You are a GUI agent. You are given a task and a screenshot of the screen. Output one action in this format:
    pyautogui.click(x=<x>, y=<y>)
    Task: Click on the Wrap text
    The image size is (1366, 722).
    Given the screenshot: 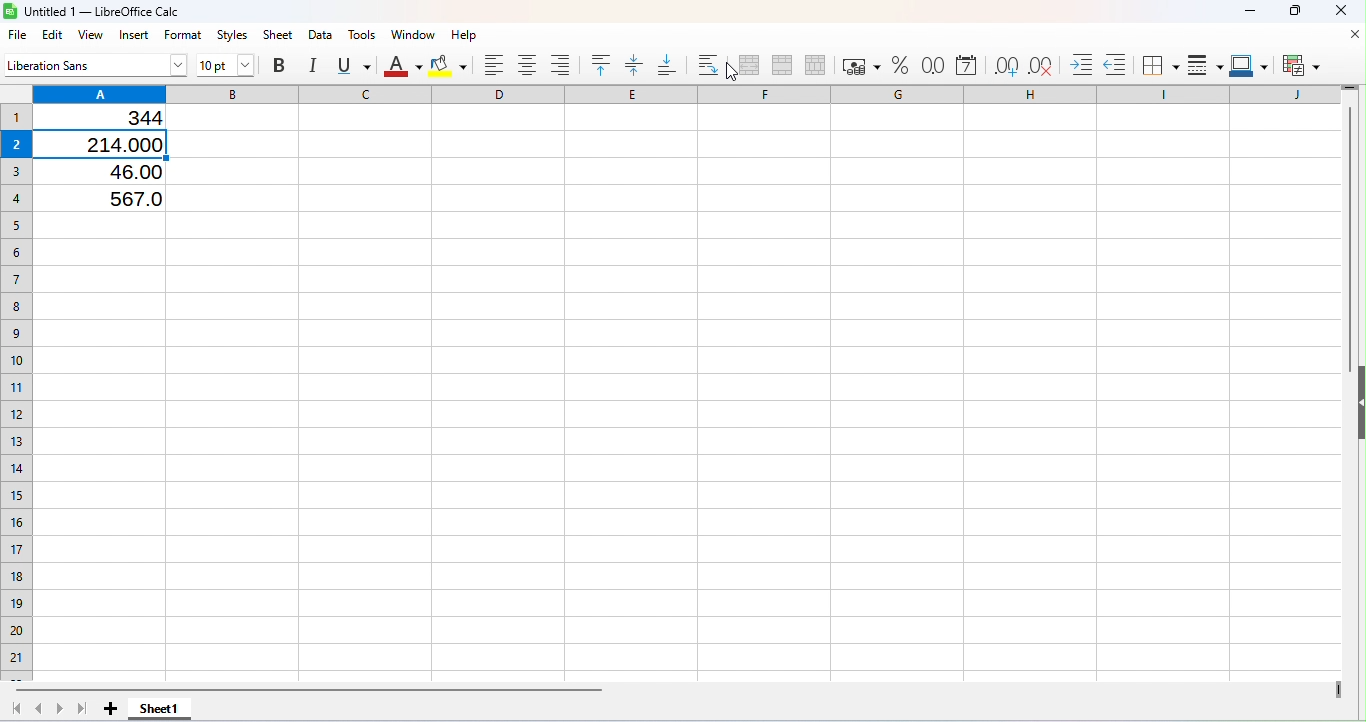 What is the action you would take?
    pyautogui.click(x=708, y=64)
    